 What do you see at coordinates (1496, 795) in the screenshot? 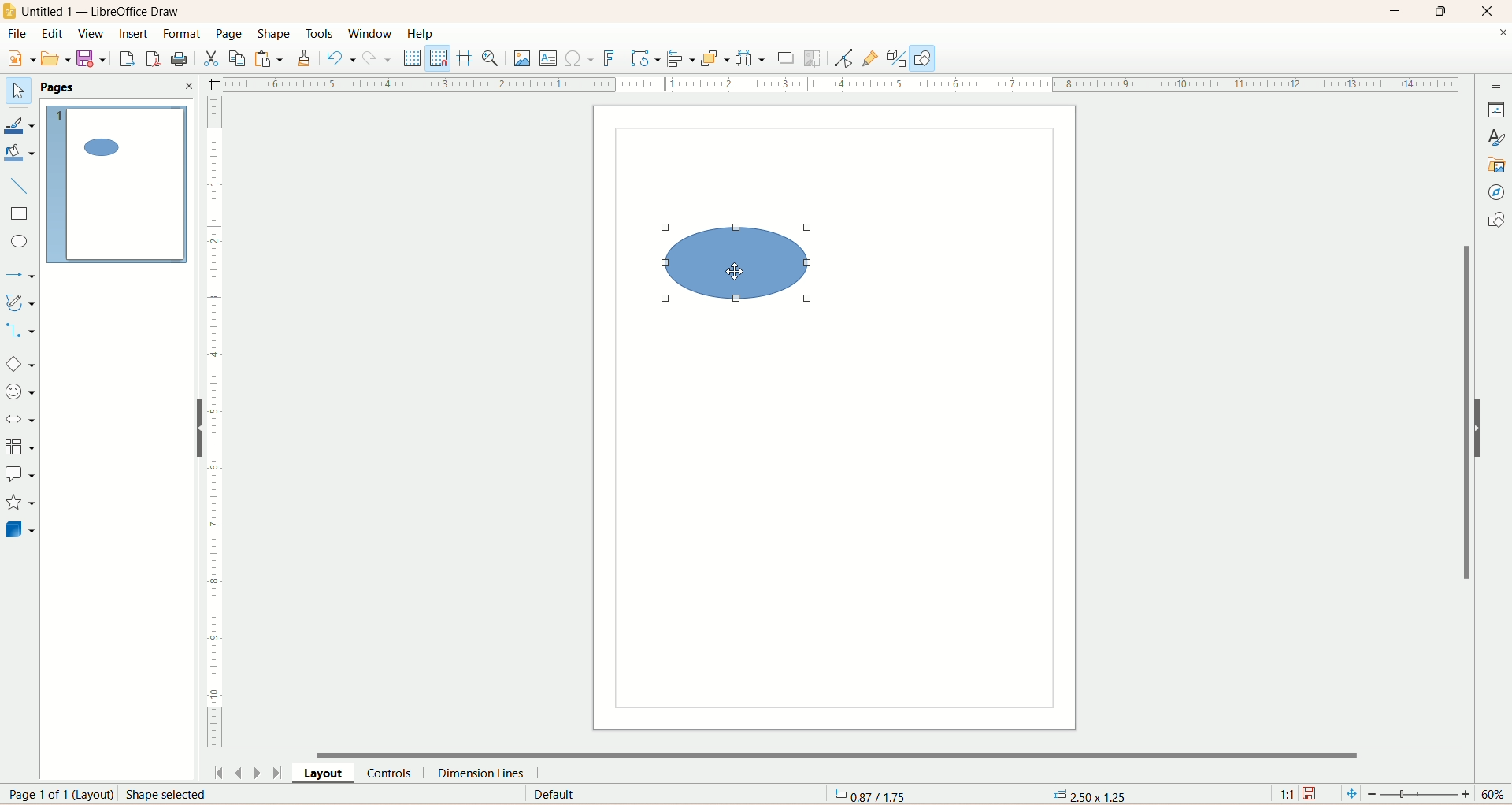
I see `zoom percentage` at bounding box center [1496, 795].